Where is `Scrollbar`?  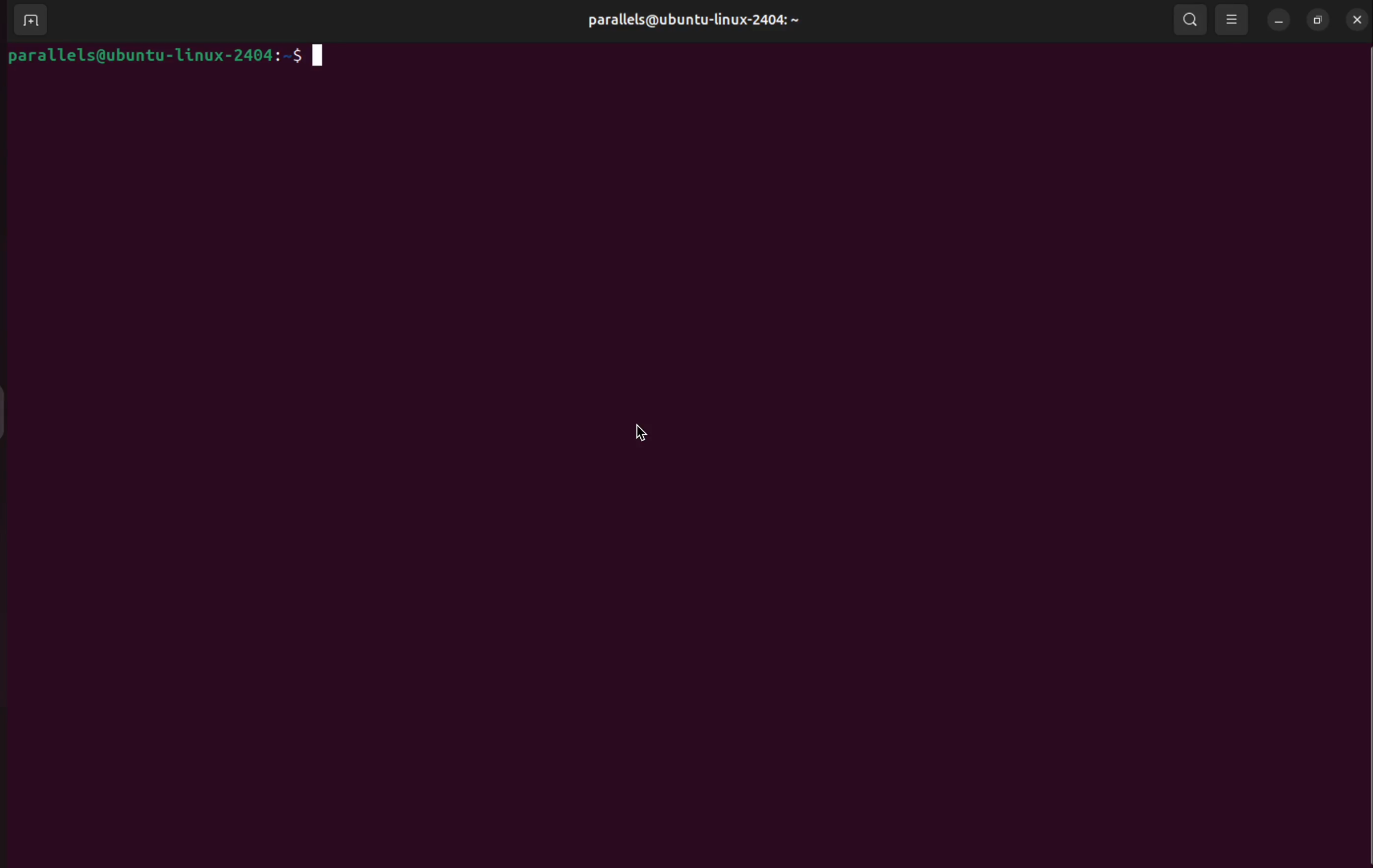 Scrollbar is located at coordinates (1363, 466).